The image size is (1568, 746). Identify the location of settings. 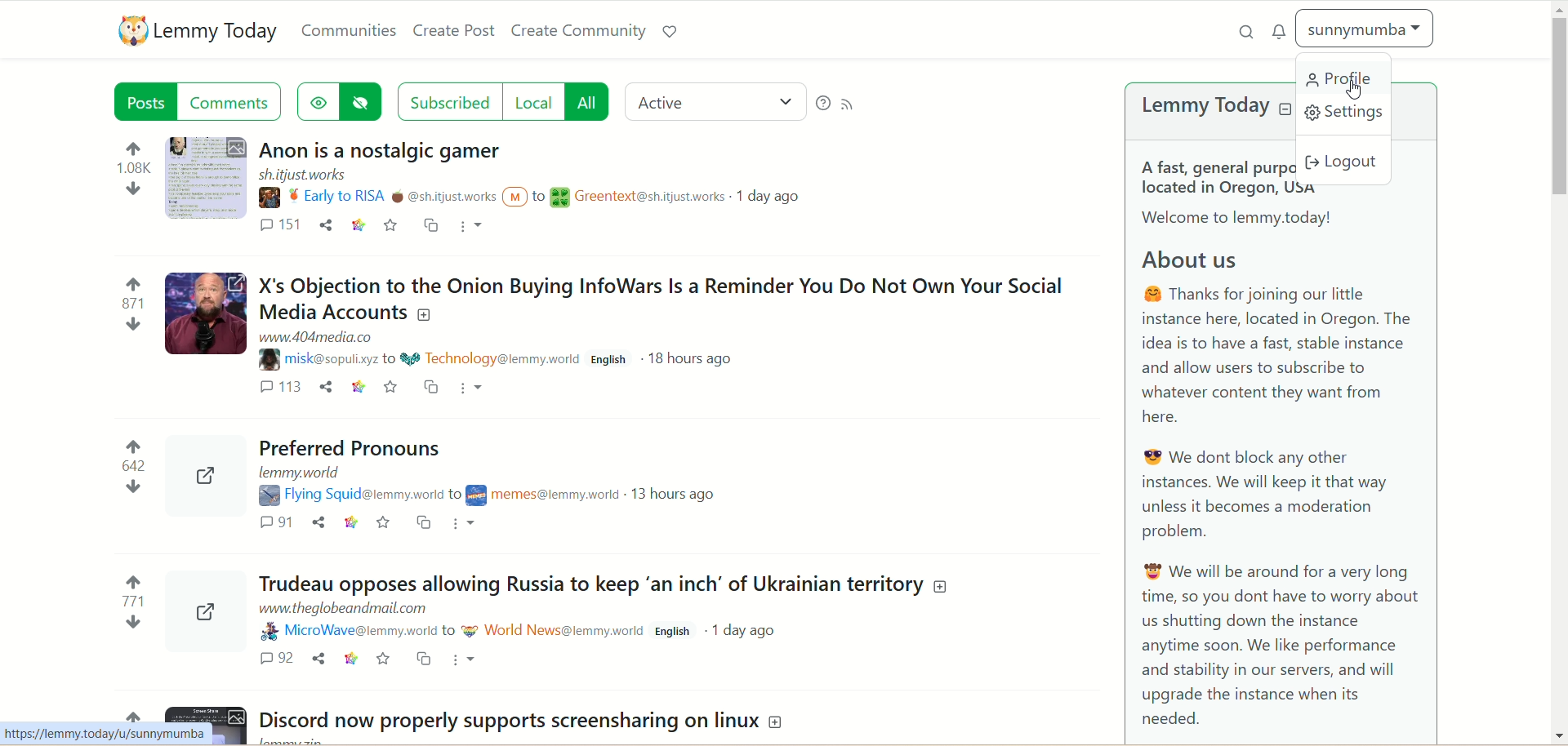
(1342, 117).